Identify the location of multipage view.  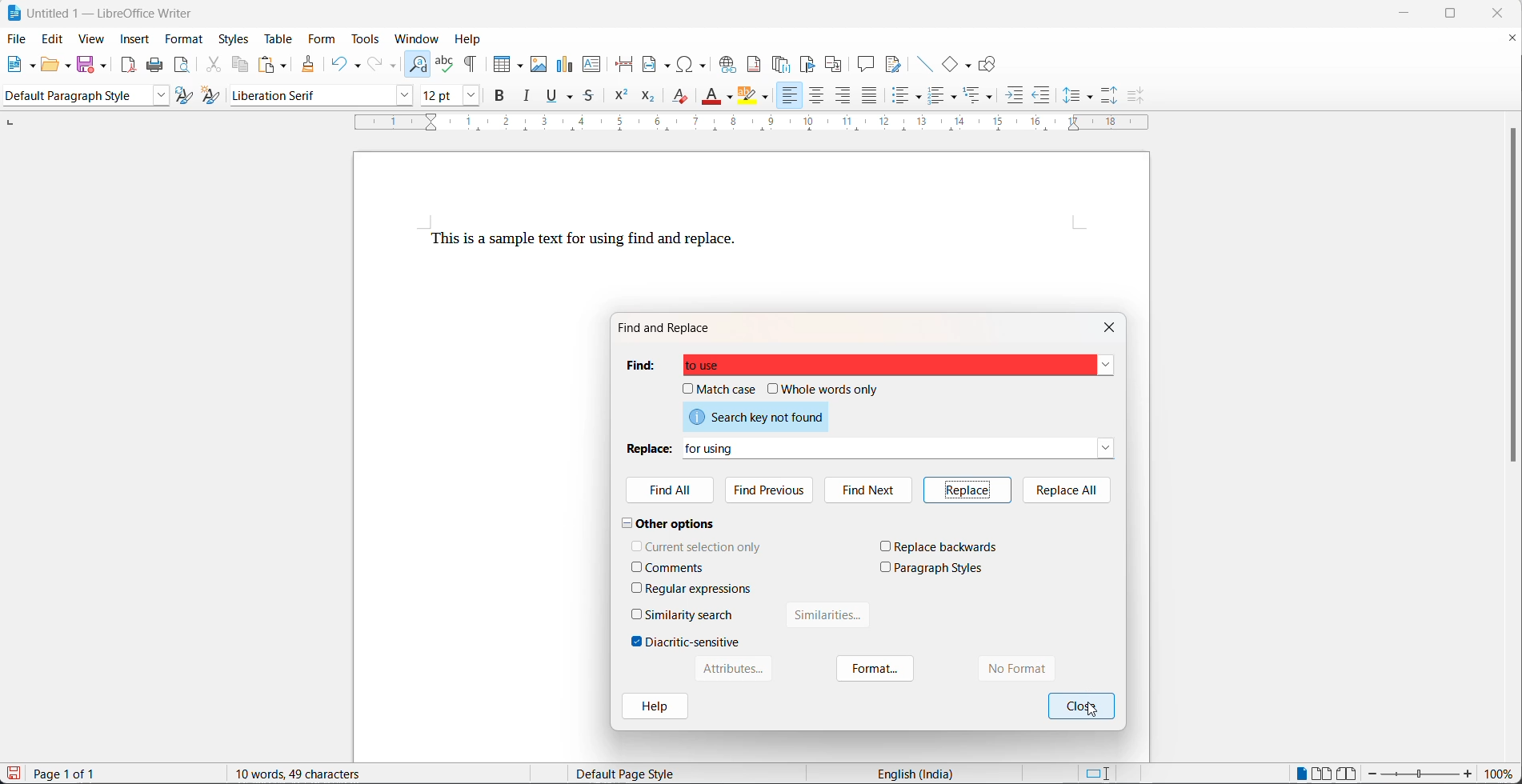
(1321, 773).